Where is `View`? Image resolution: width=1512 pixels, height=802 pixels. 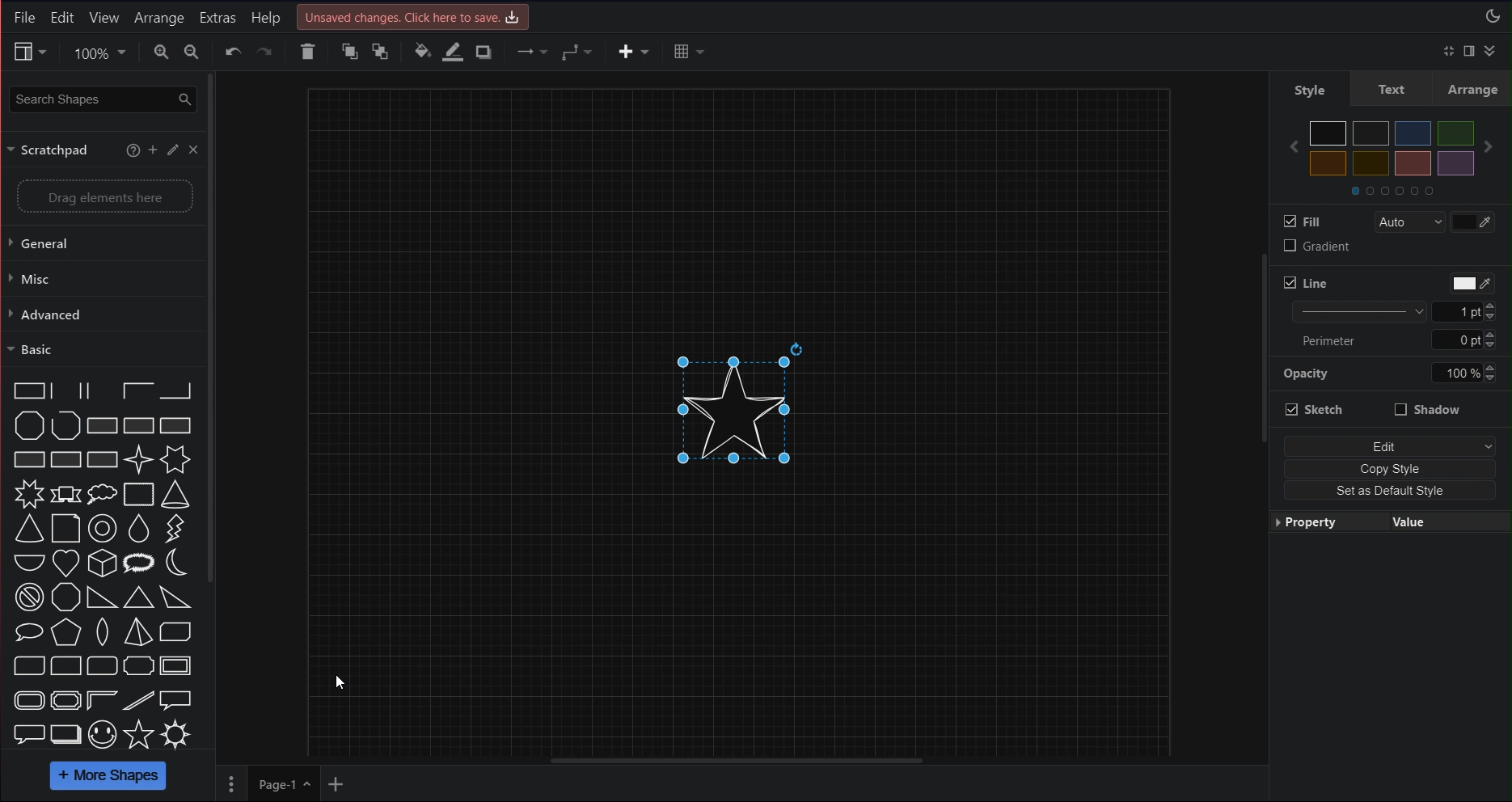 View is located at coordinates (28, 52).